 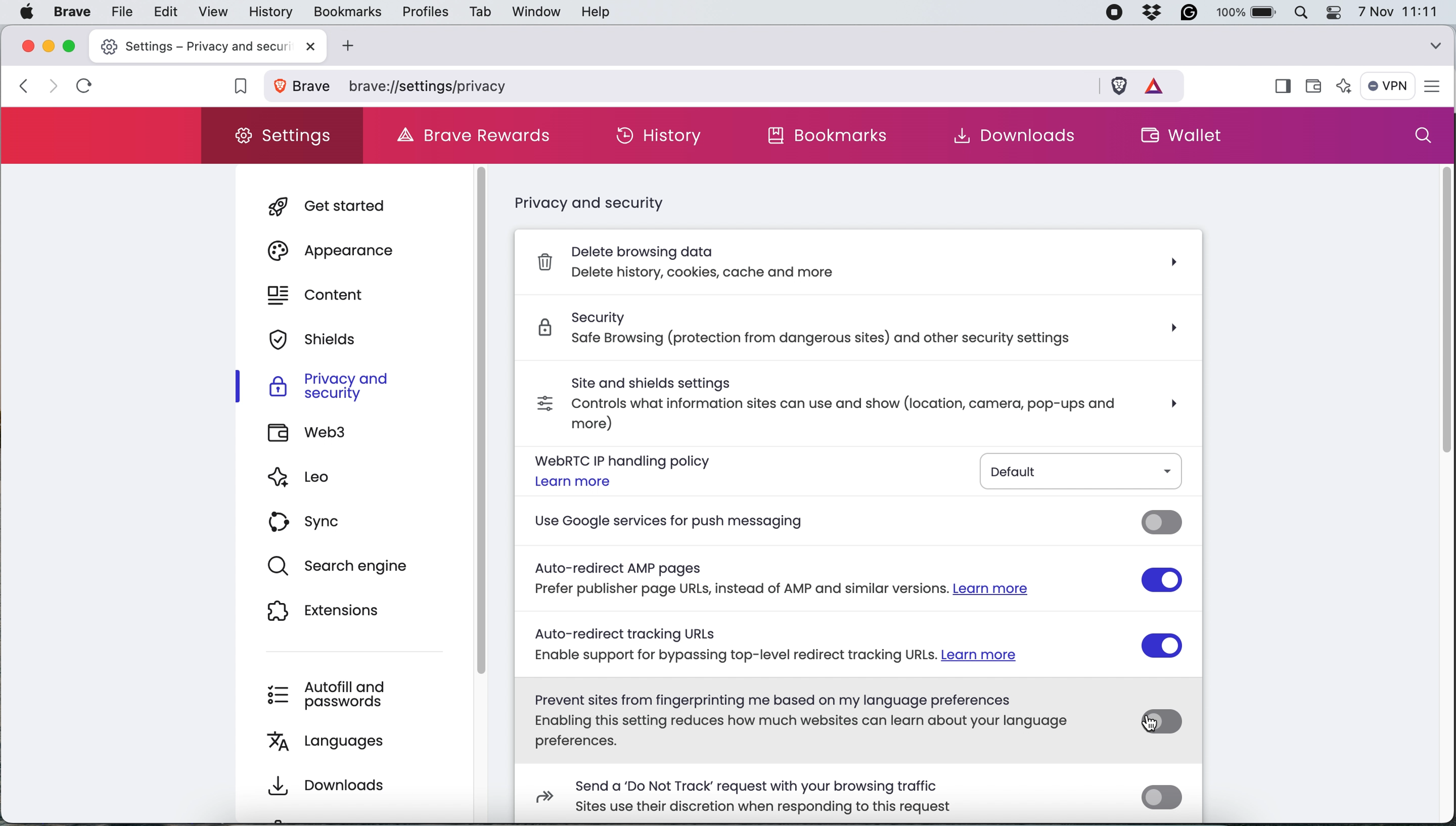 What do you see at coordinates (1318, 82) in the screenshot?
I see `wallet` at bounding box center [1318, 82].